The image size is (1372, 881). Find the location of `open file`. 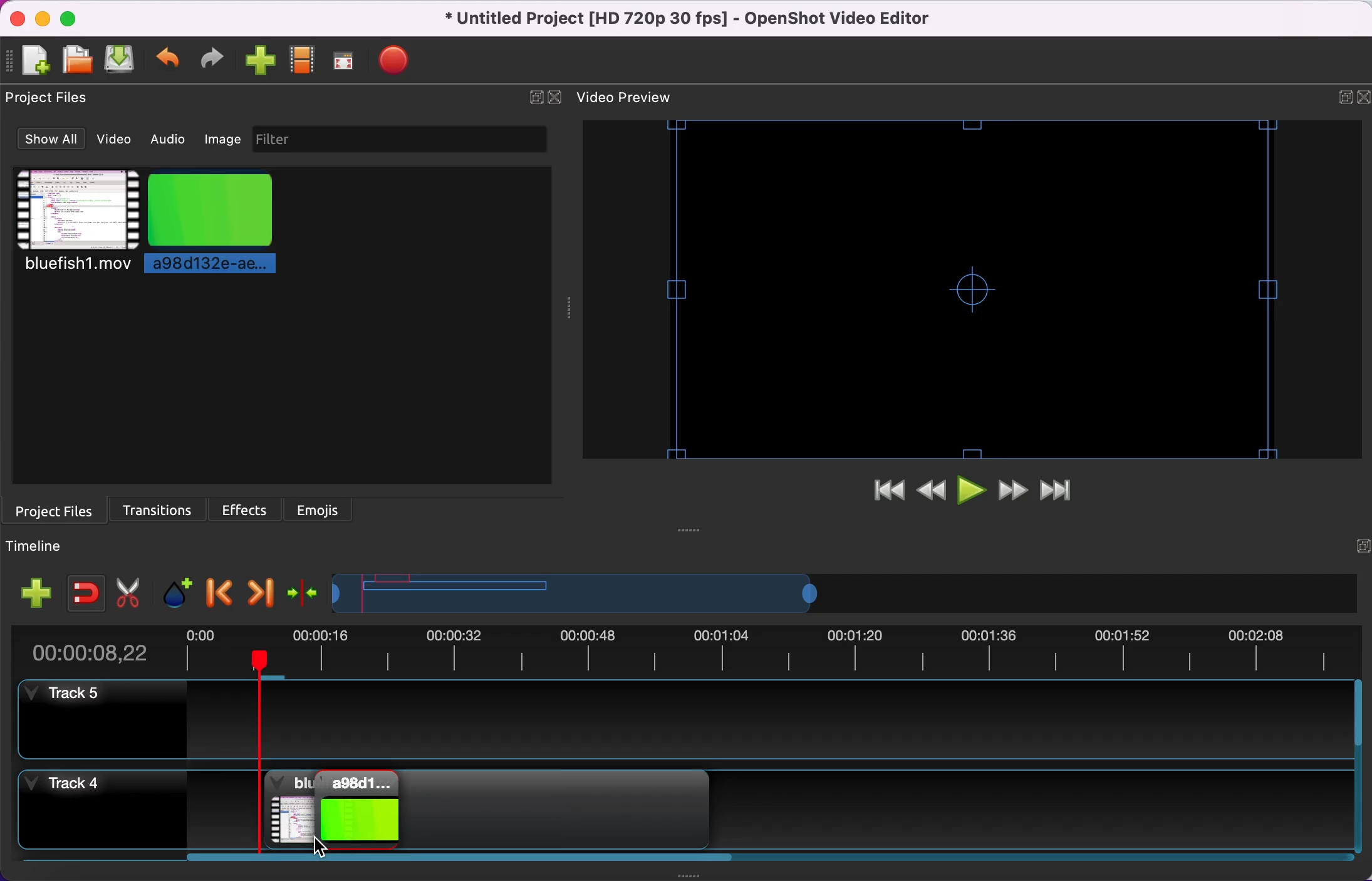

open file is located at coordinates (75, 58).